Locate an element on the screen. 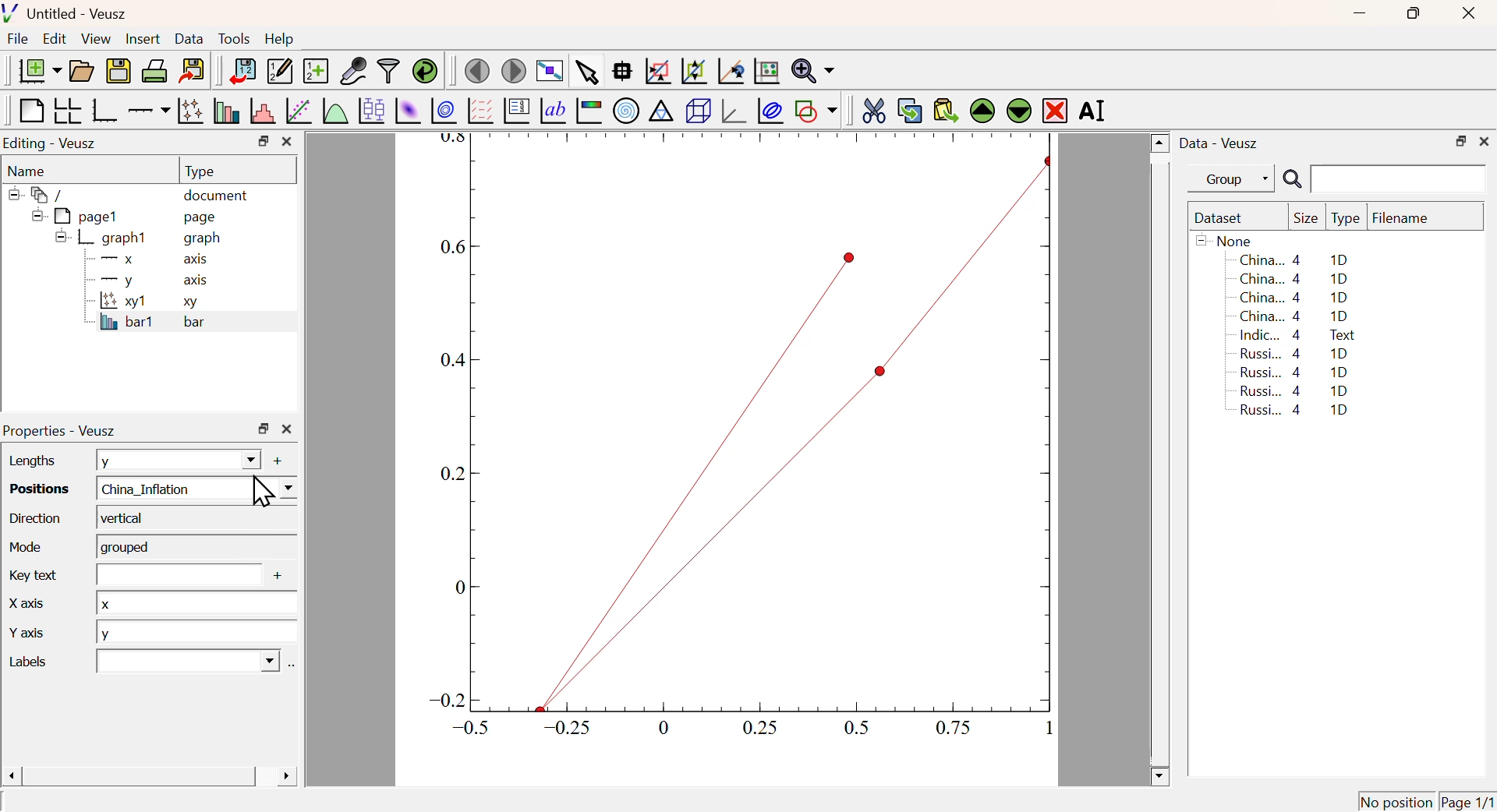  Tools is located at coordinates (234, 40).